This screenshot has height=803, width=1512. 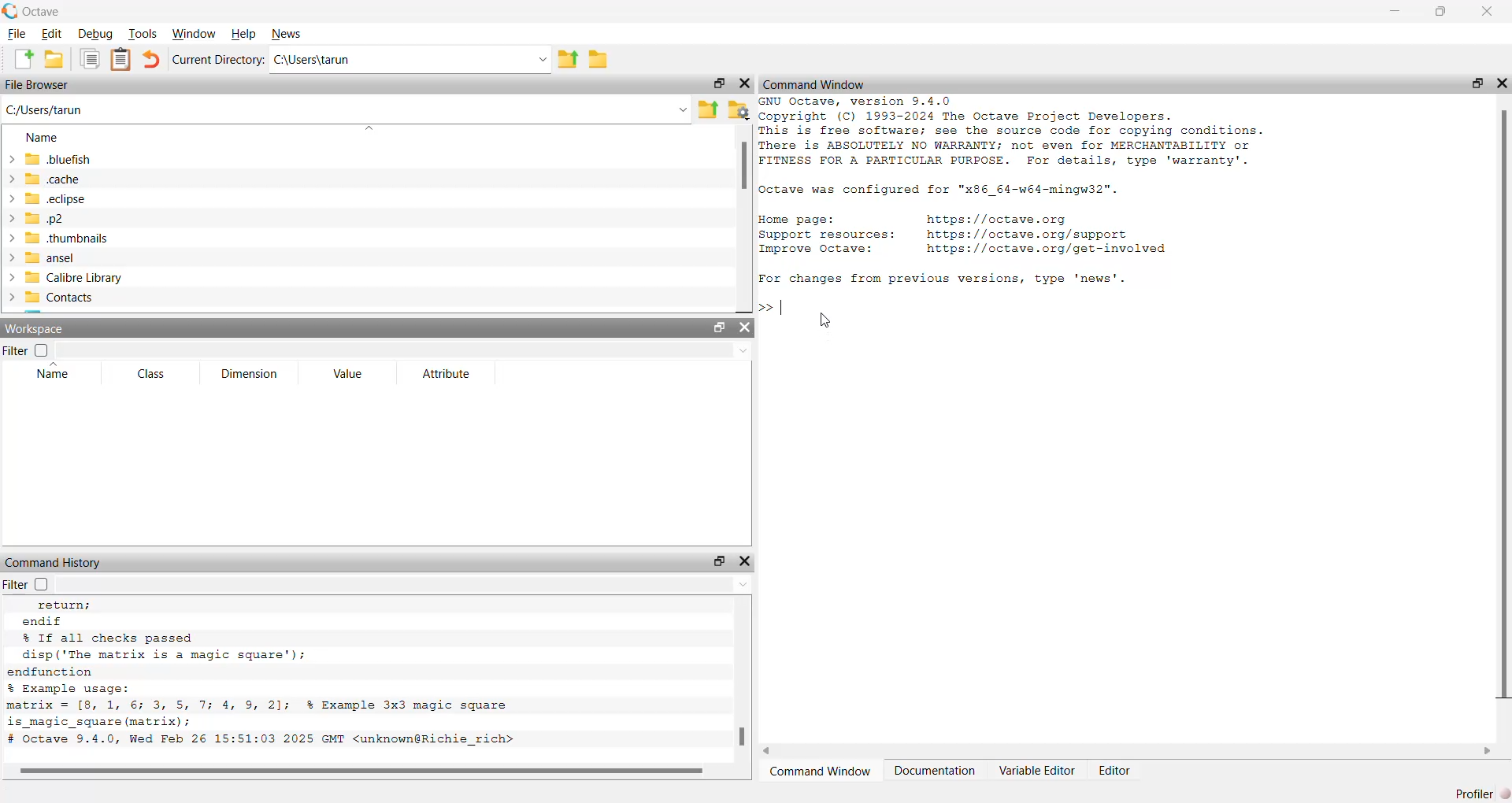 What do you see at coordinates (313, 59) in the screenshot?
I see `C:\Users\taun` at bounding box center [313, 59].